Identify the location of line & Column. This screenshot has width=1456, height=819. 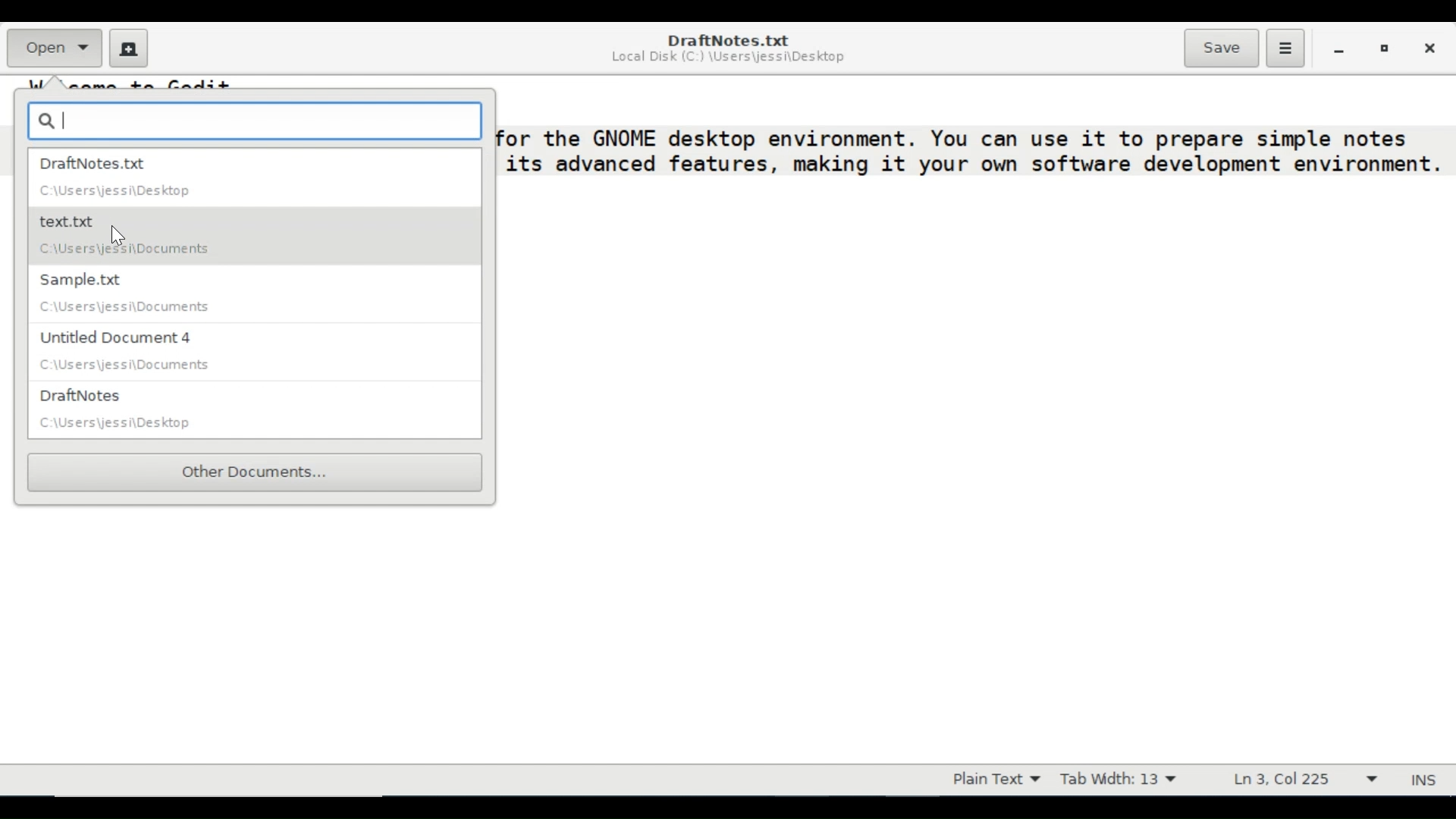
(1308, 780).